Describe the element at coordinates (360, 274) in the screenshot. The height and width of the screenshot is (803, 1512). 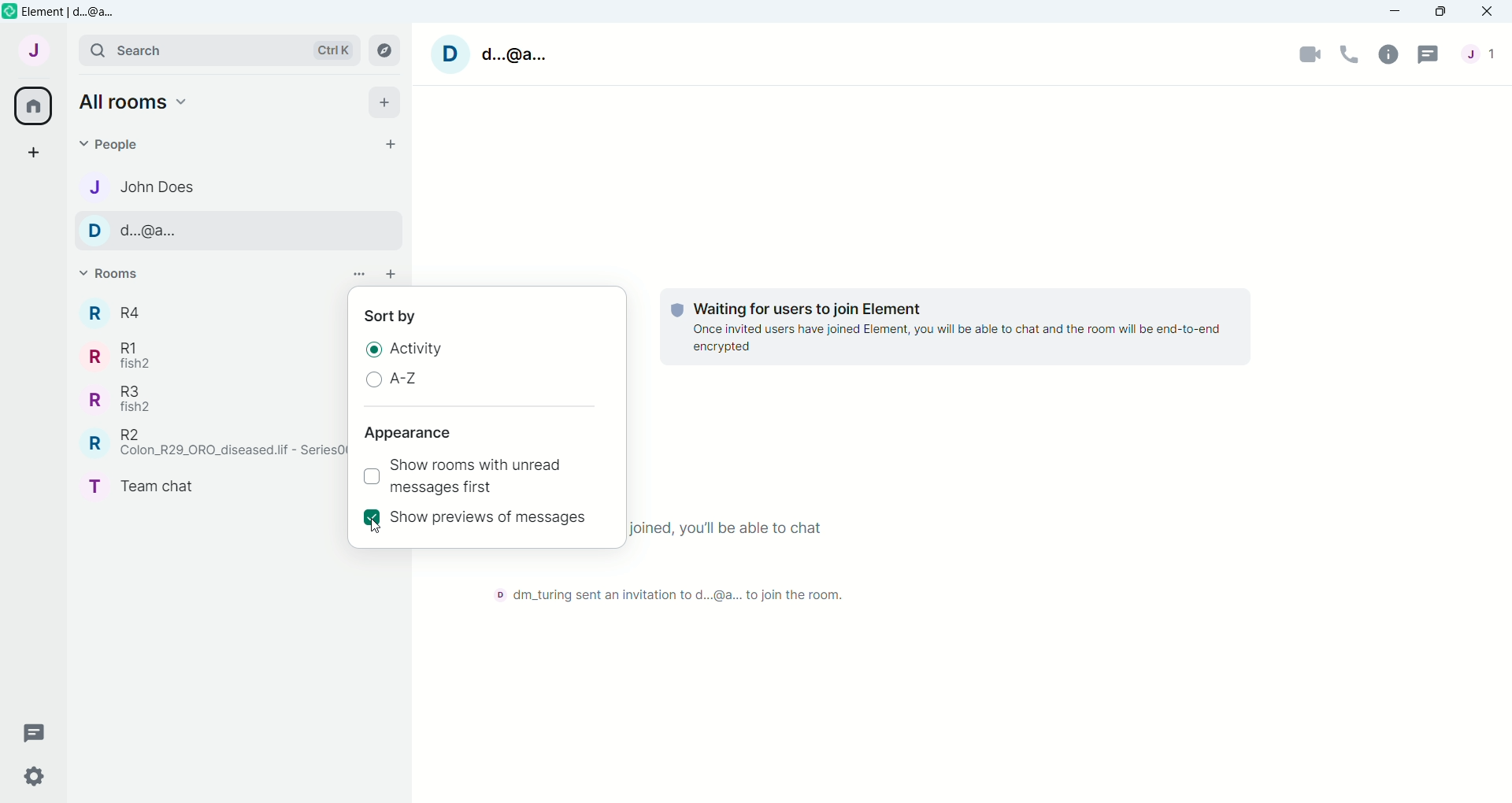
I see `List options` at that location.